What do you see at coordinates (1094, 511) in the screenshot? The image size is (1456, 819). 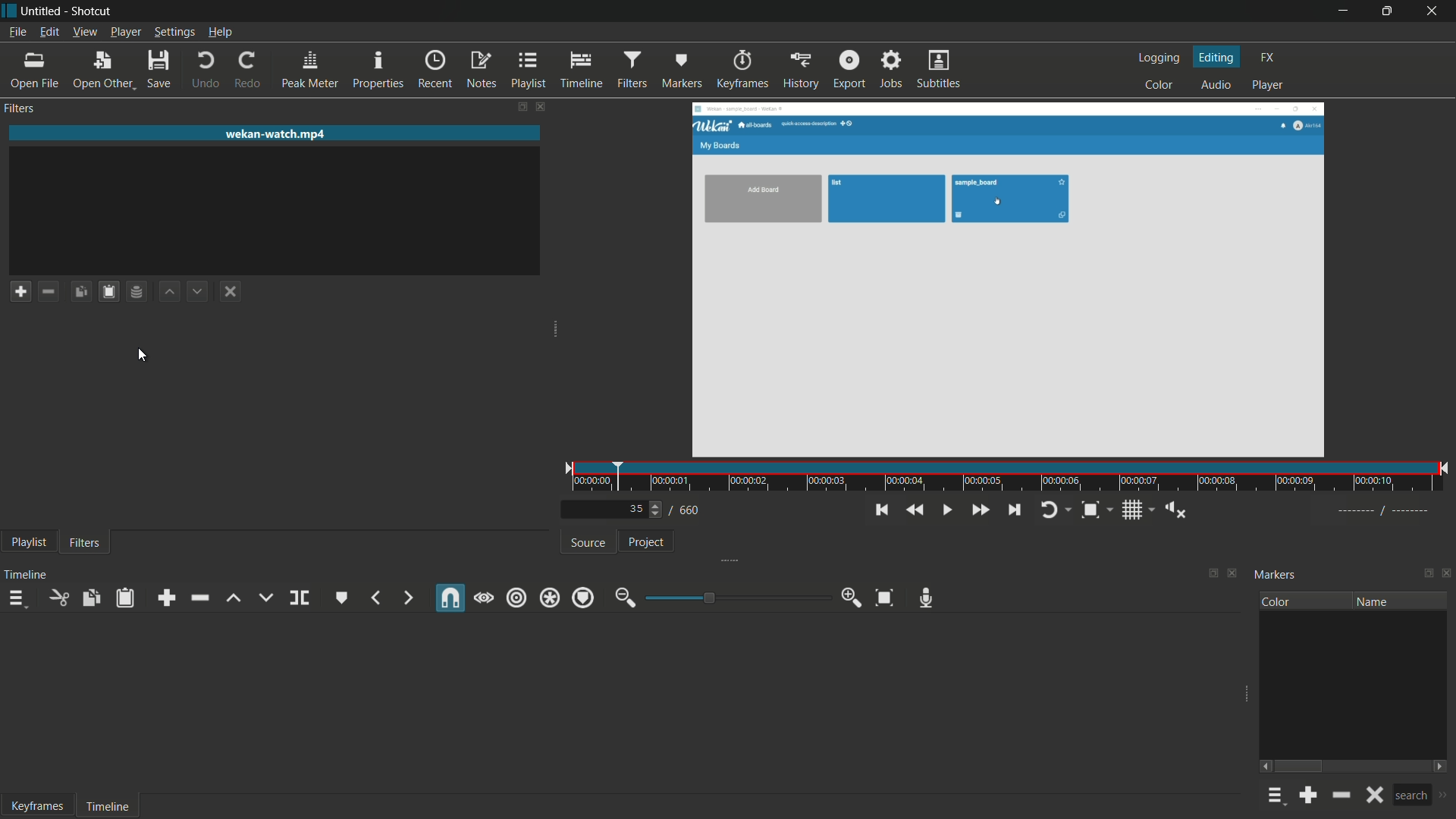 I see `toggle zoom` at bounding box center [1094, 511].